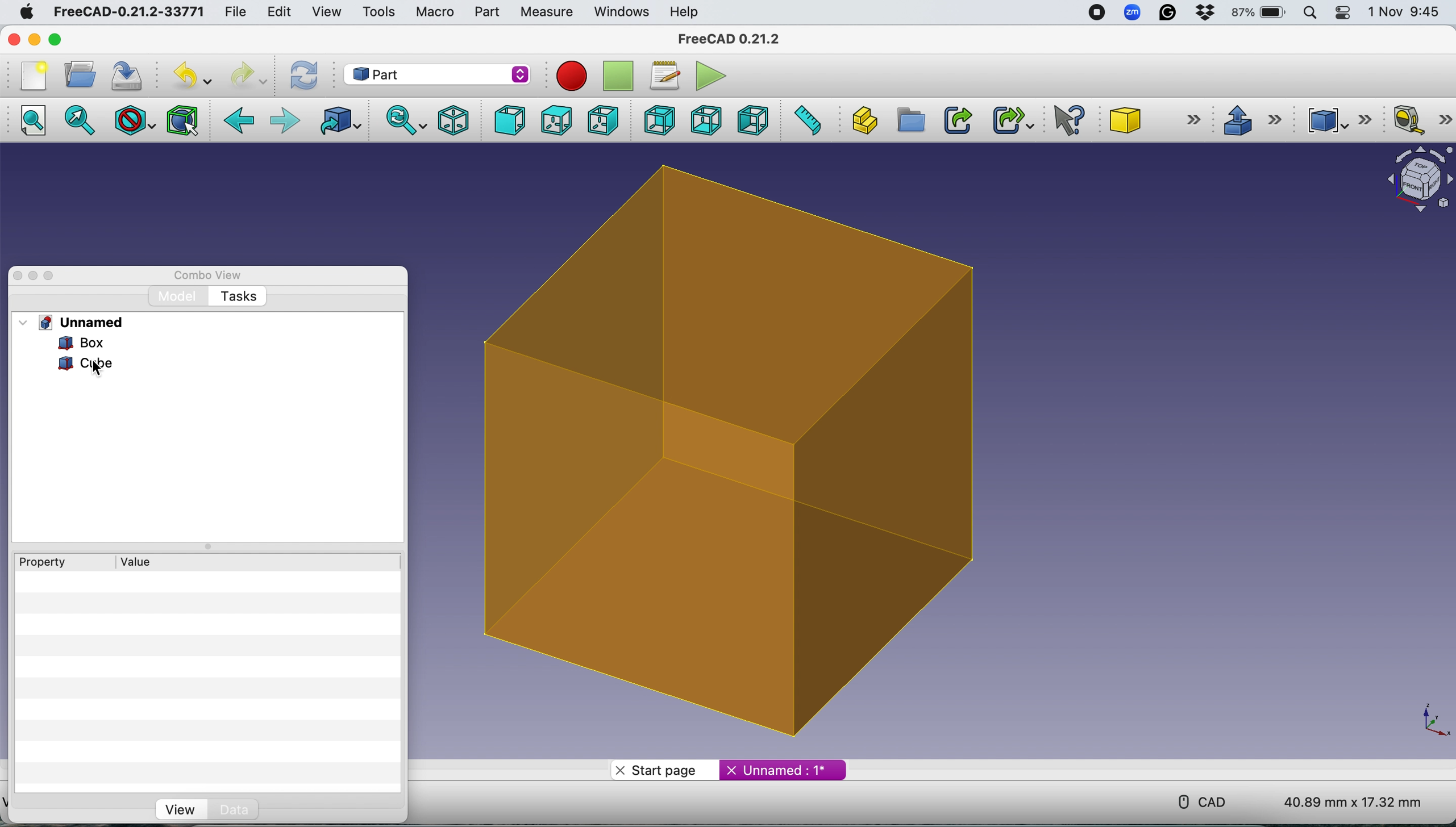 This screenshot has height=827, width=1456. Describe the element at coordinates (177, 809) in the screenshot. I see `View` at that location.